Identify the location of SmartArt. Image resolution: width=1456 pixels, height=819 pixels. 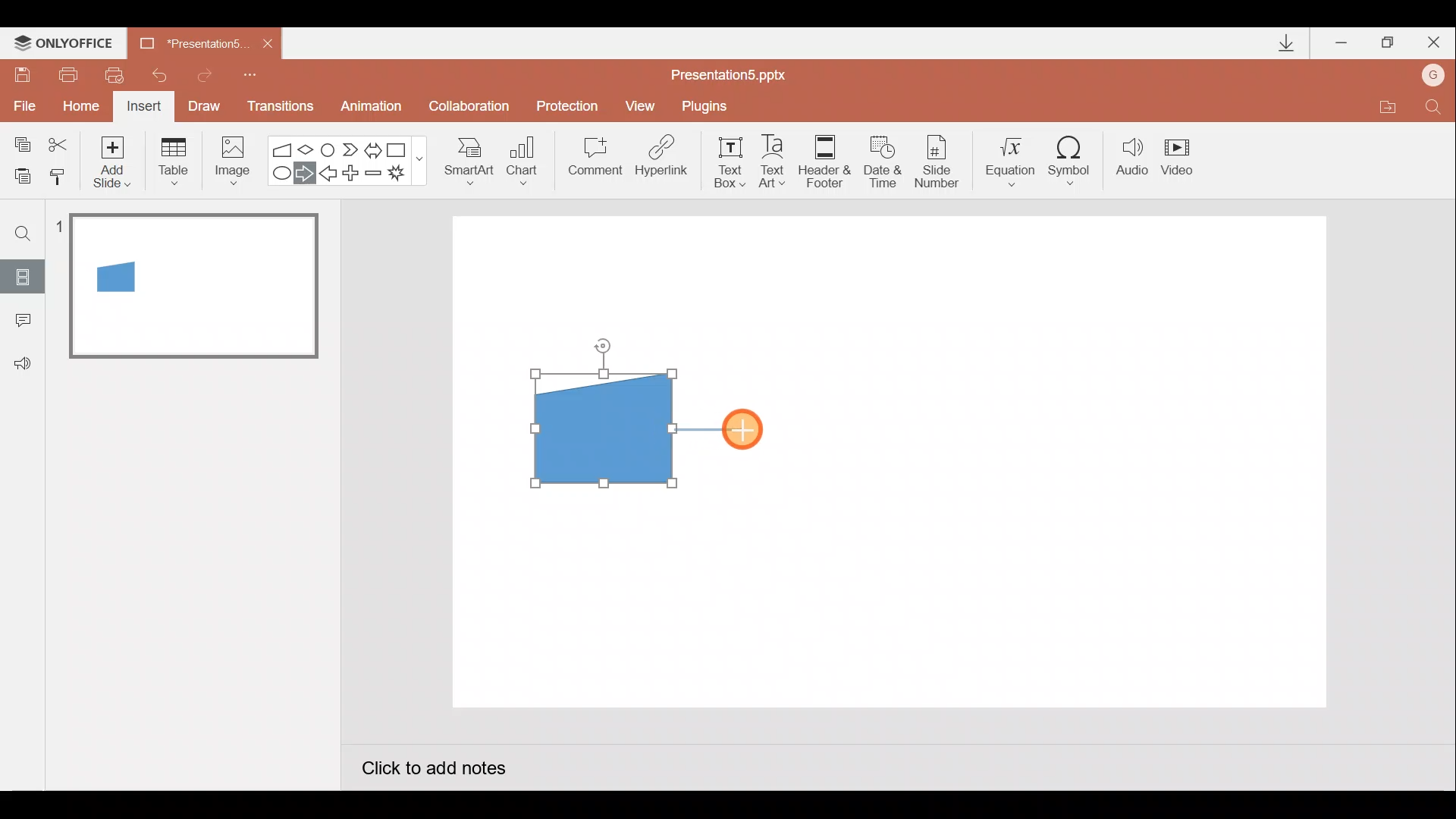
(463, 160).